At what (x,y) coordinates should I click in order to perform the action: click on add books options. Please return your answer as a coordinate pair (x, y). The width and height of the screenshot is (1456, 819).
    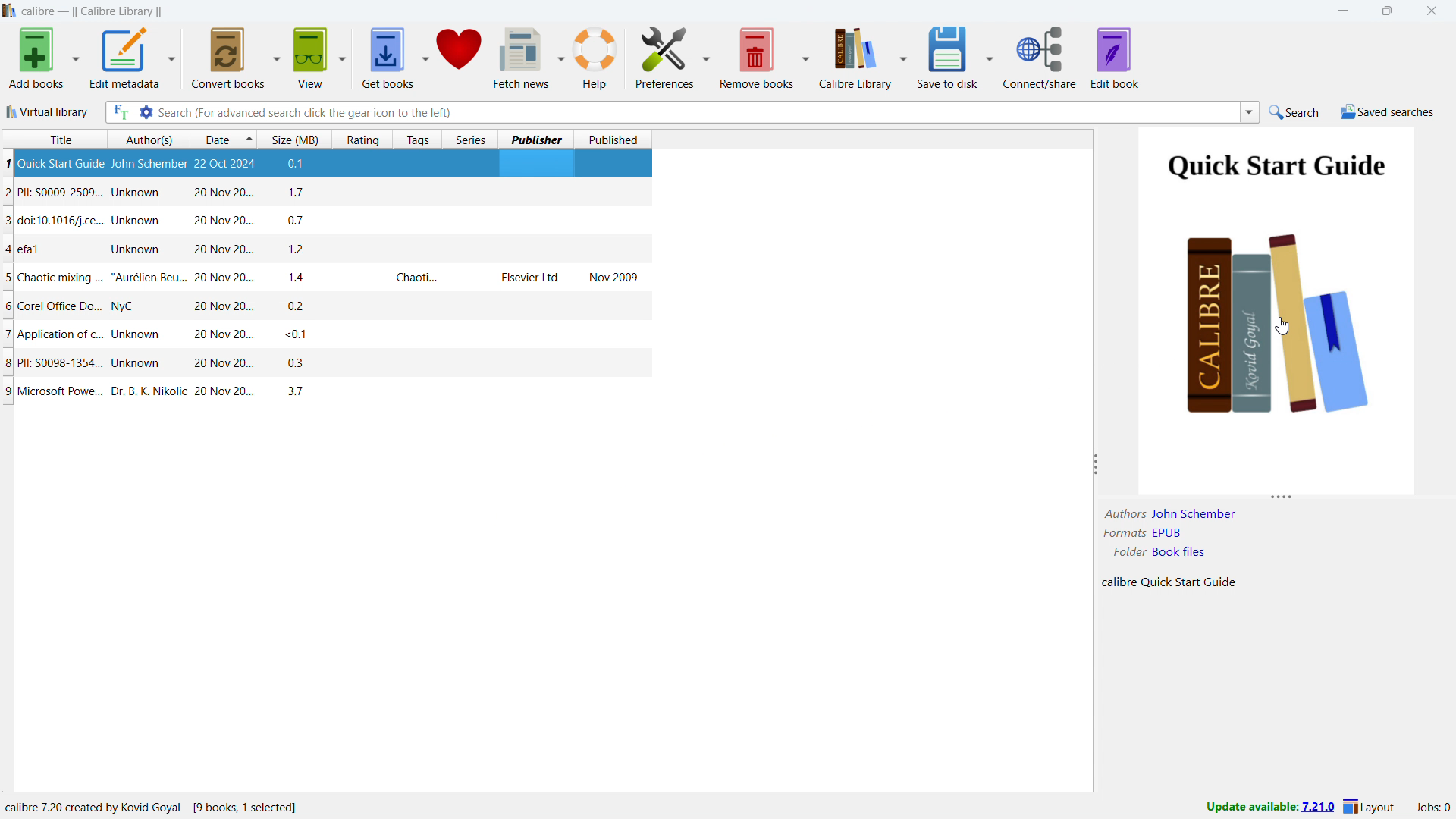
    Looking at the image, I should click on (75, 59).